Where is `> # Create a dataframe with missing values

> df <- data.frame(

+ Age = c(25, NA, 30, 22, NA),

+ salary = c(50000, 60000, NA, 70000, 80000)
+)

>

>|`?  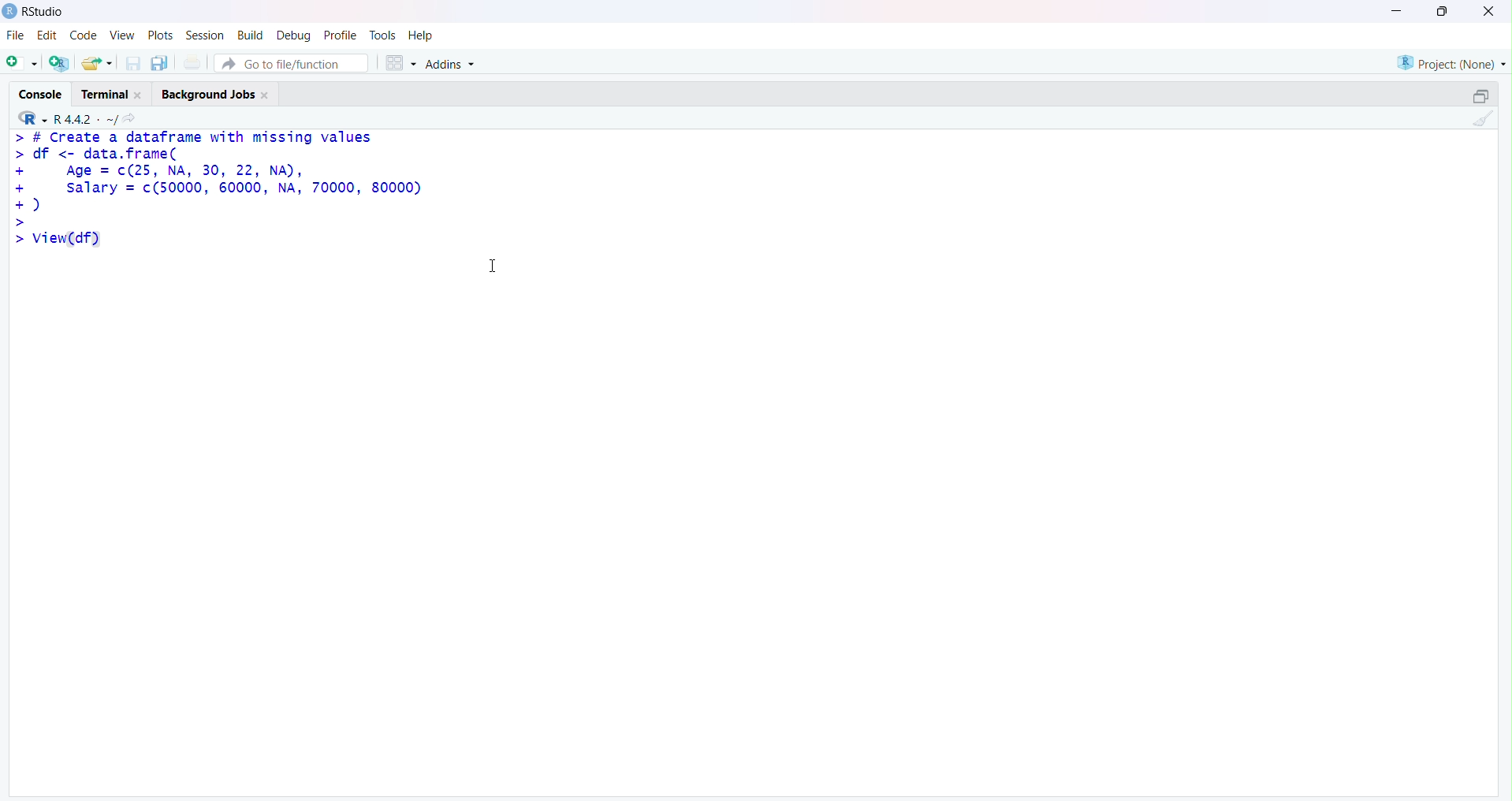
> # Create a dataframe with missing values

> df <- data.frame(

+ Age = c(25, NA, 30, 22, NA),

+ salary = c(50000, 60000, NA, 70000, 80000)
+)

>

>| is located at coordinates (229, 206).